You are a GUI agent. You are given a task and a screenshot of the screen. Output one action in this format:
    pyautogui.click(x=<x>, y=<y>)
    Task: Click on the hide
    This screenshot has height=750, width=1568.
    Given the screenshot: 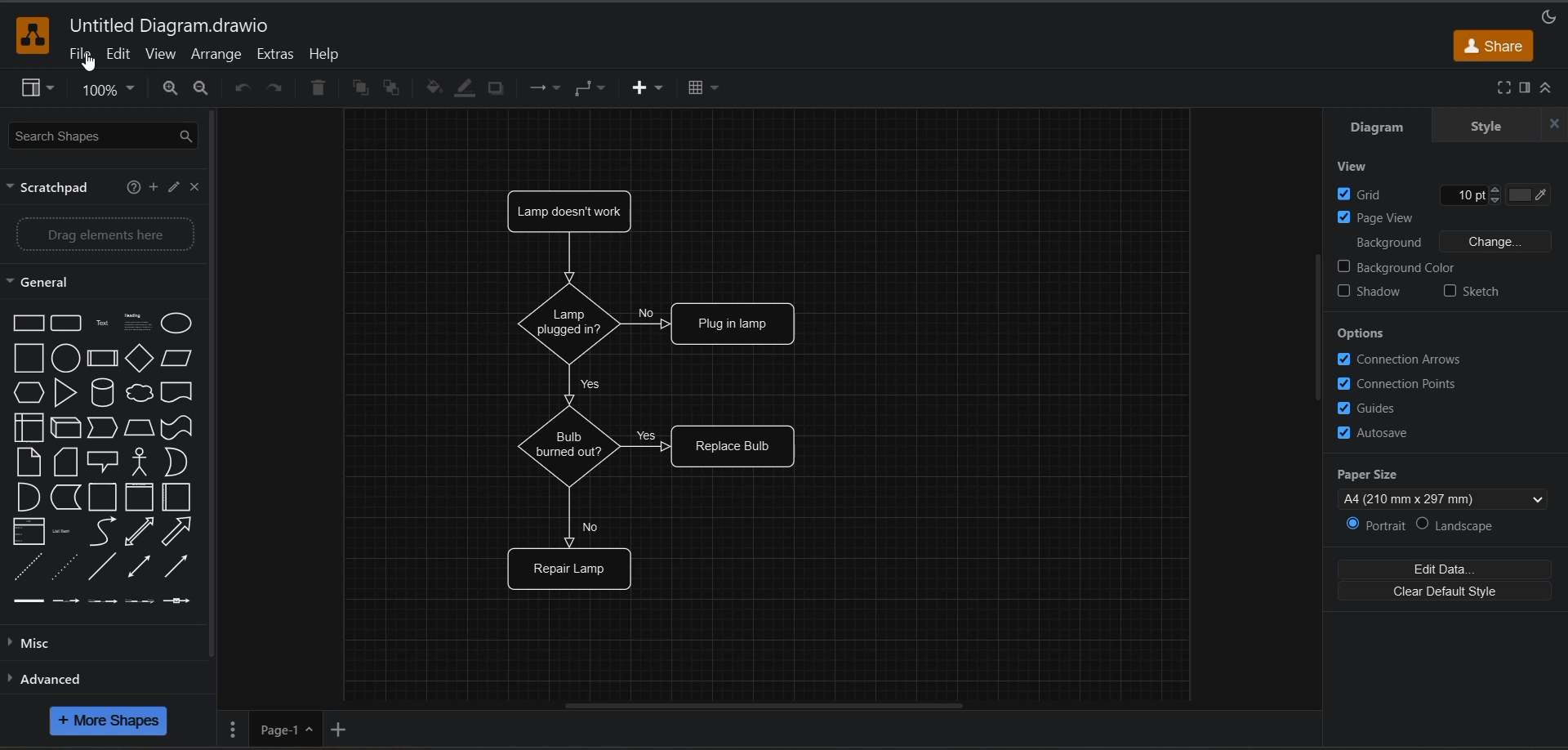 What is the action you would take?
    pyautogui.click(x=1550, y=123)
    